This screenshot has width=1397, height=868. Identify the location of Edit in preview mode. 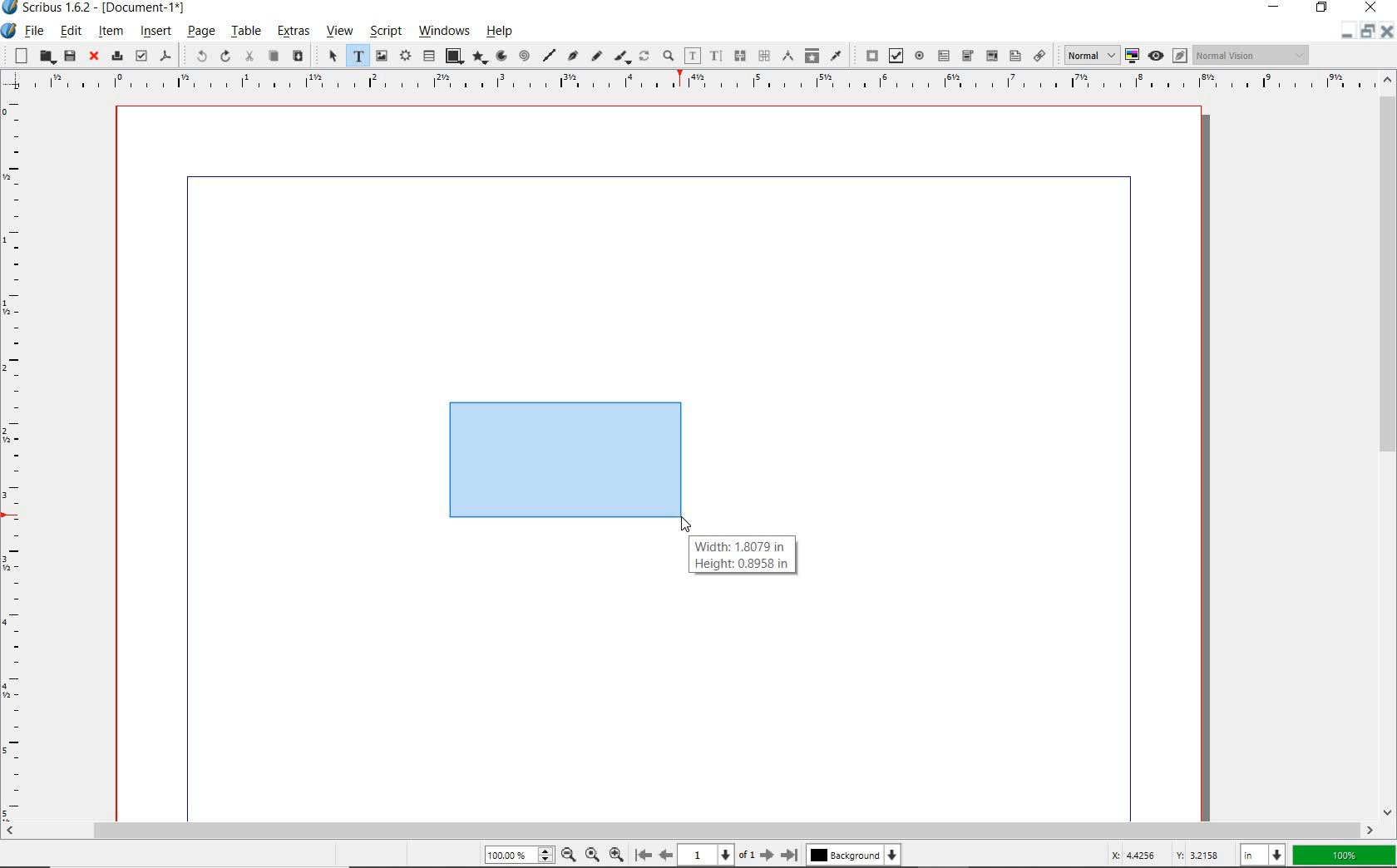
(1181, 55).